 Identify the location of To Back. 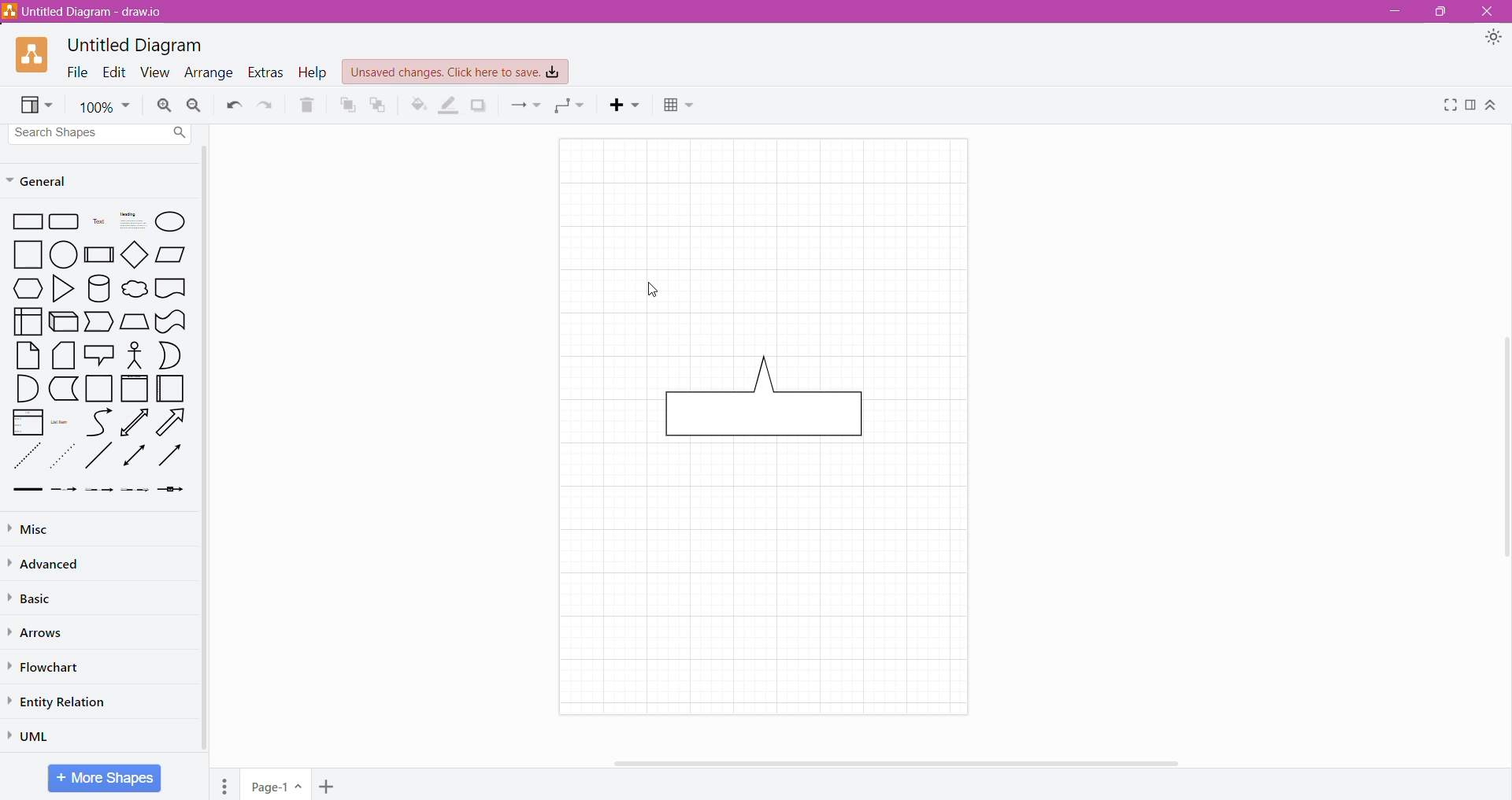
(380, 106).